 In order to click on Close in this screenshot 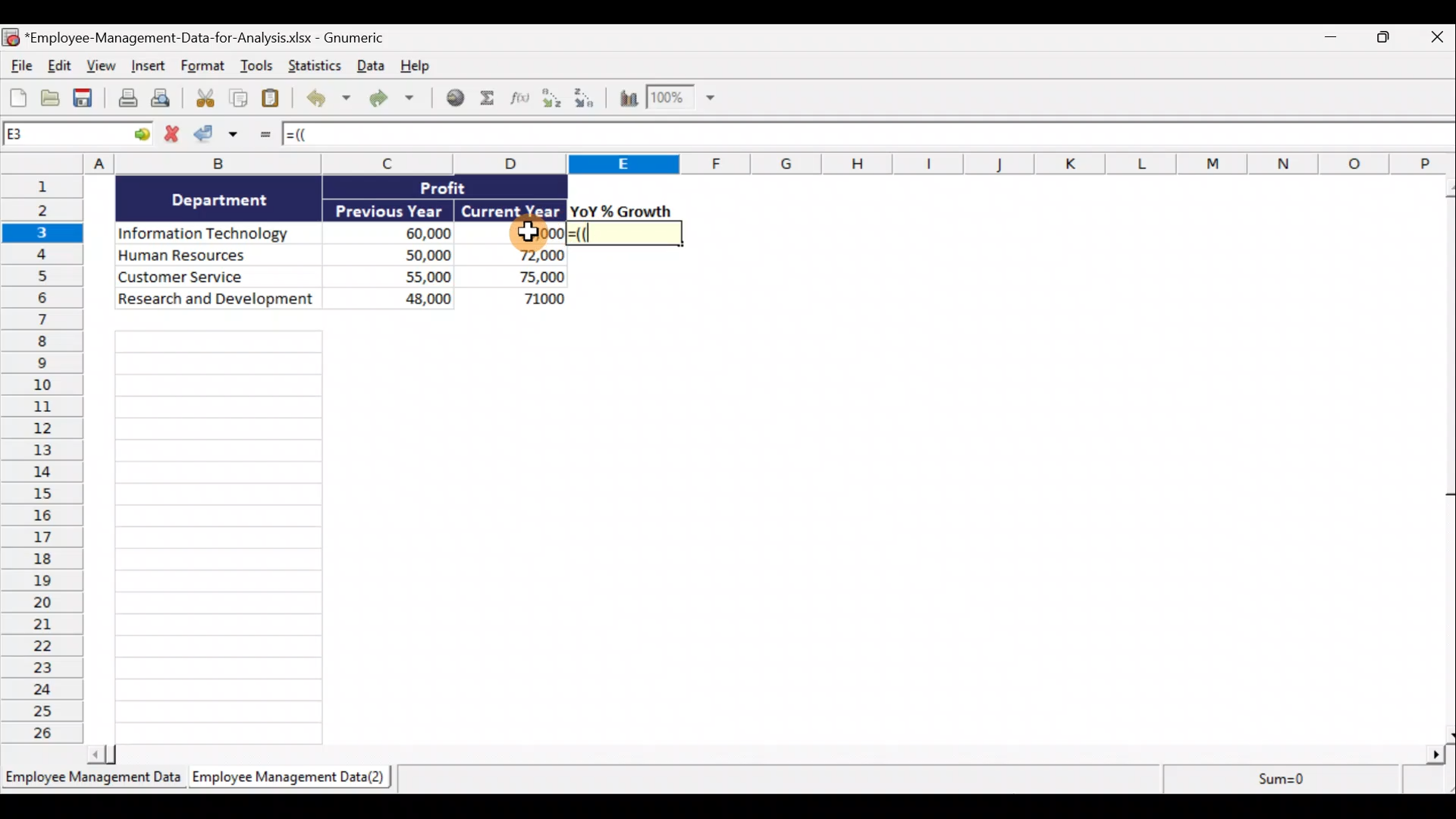, I will do `click(1437, 36)`.